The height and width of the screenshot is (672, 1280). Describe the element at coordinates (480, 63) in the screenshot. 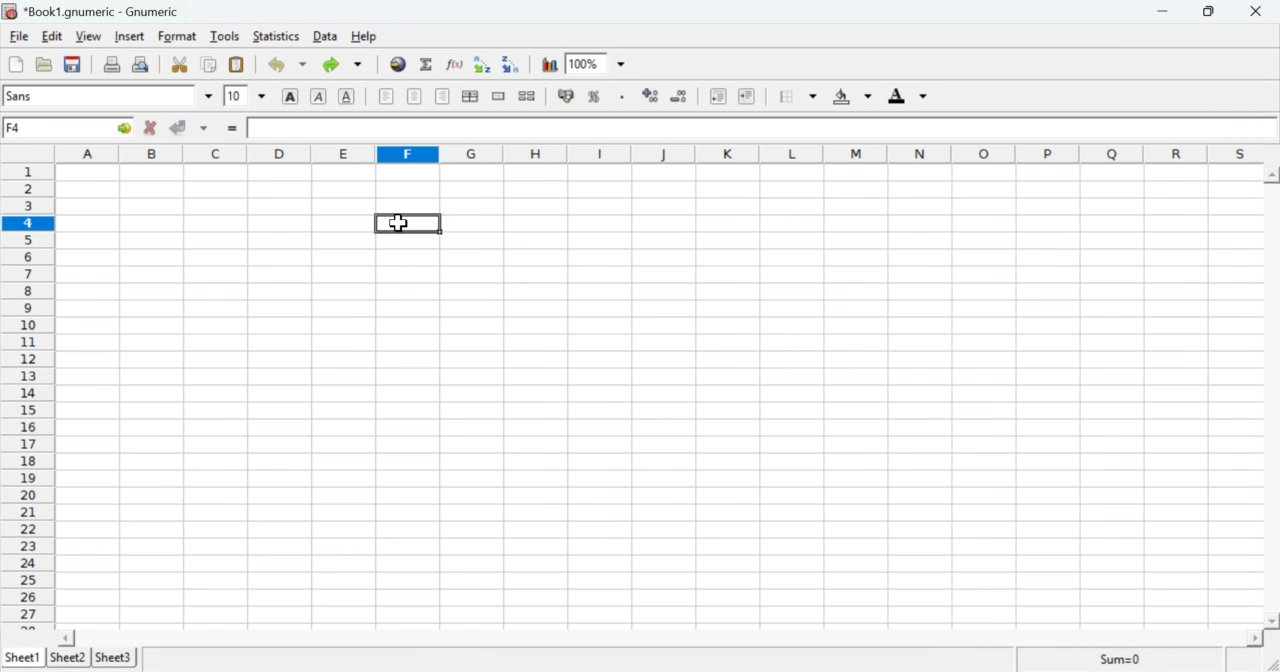

I see `Sort in ascending` at that location.